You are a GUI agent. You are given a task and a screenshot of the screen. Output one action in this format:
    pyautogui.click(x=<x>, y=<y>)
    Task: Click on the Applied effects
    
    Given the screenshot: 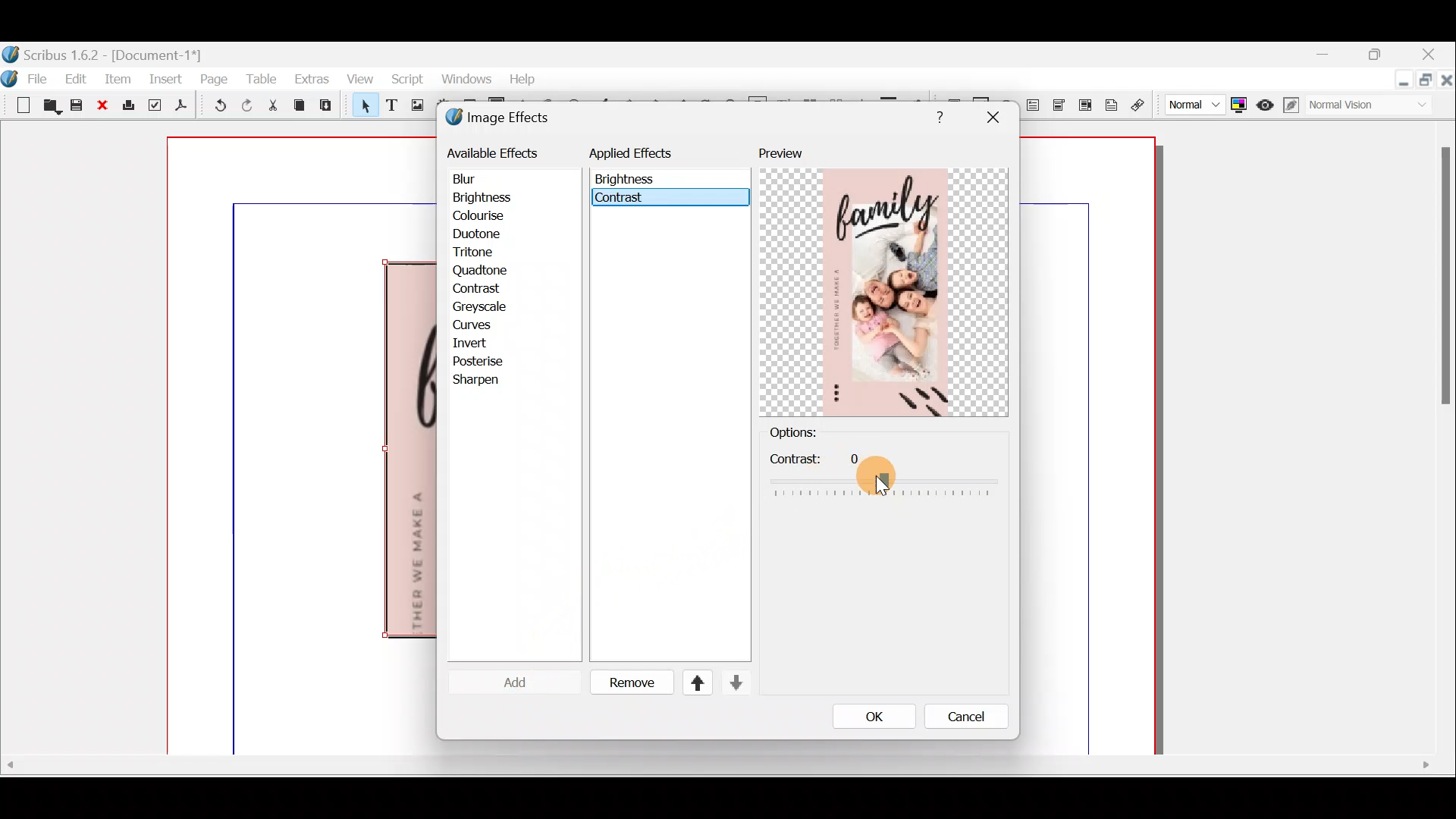 What is the action you would take?
    pyautogui.click(x=643, y=157)
    